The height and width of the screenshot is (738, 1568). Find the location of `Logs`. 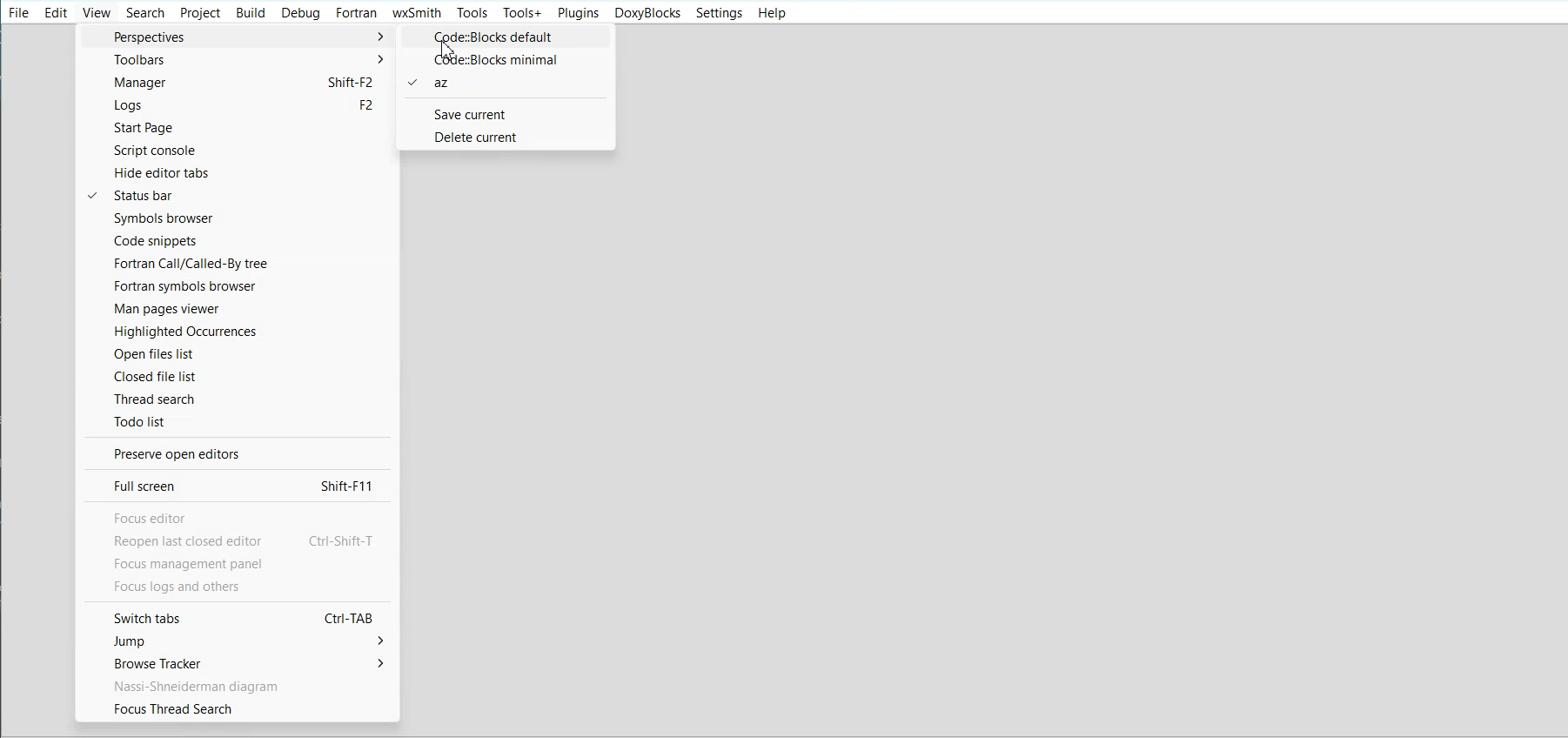

Logs is located at coordinates (238, 106).